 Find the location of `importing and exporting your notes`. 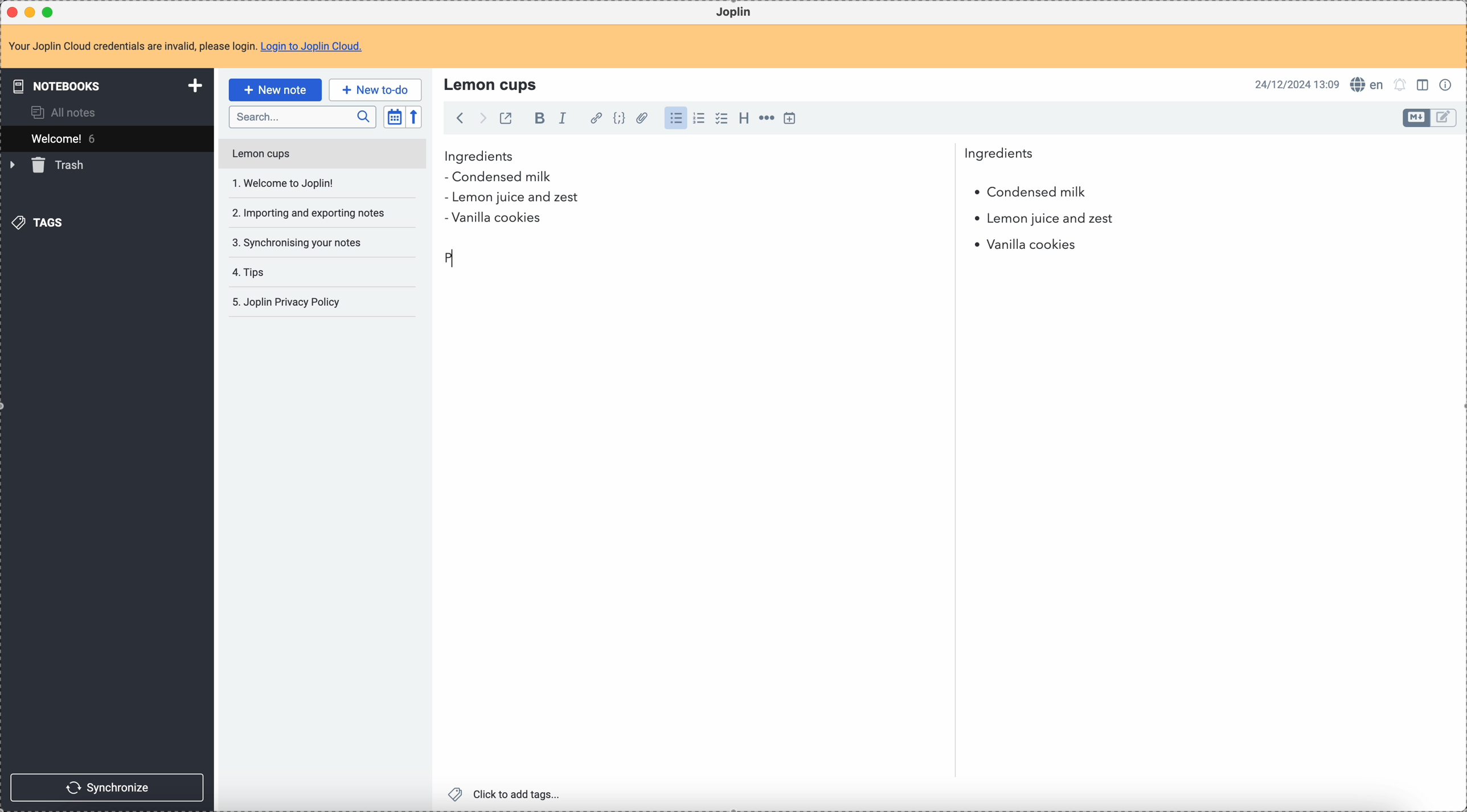

importing and exporting your notes is located at coordinates (310, 213).